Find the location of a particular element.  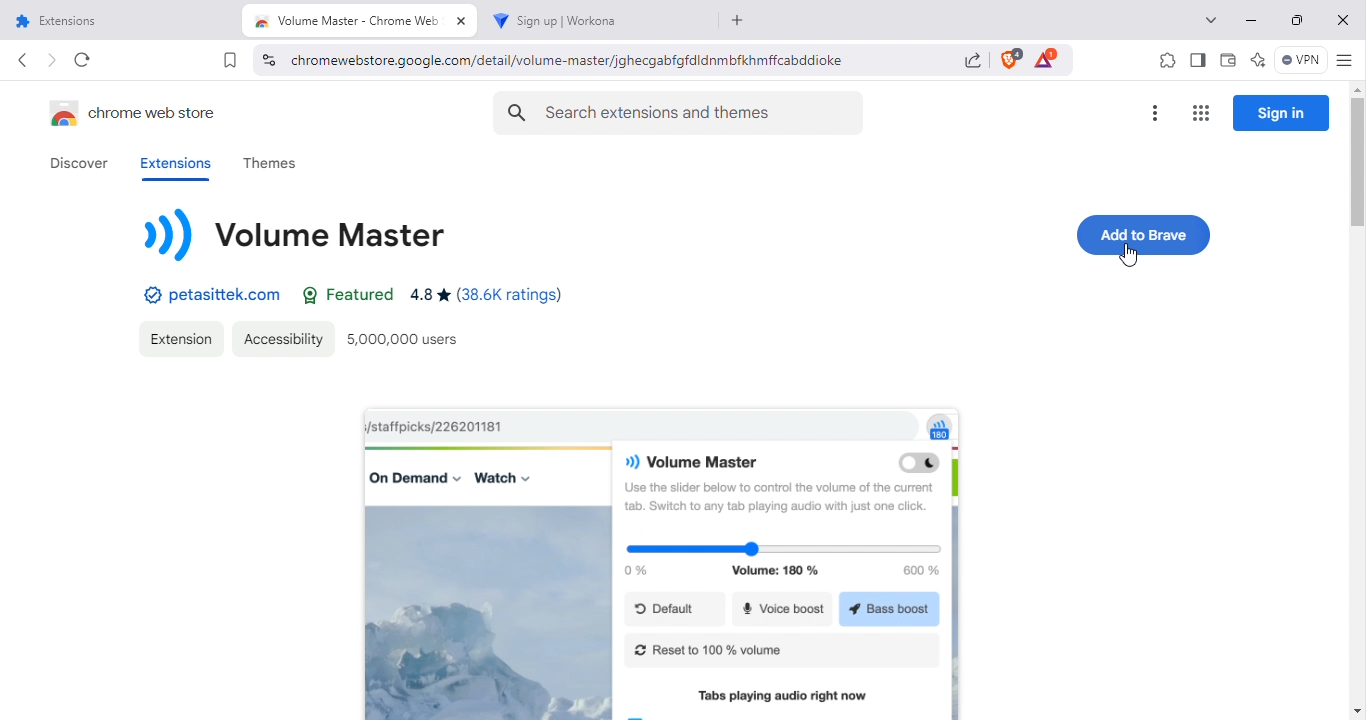

Search bar is located at coordinates (677, 113).